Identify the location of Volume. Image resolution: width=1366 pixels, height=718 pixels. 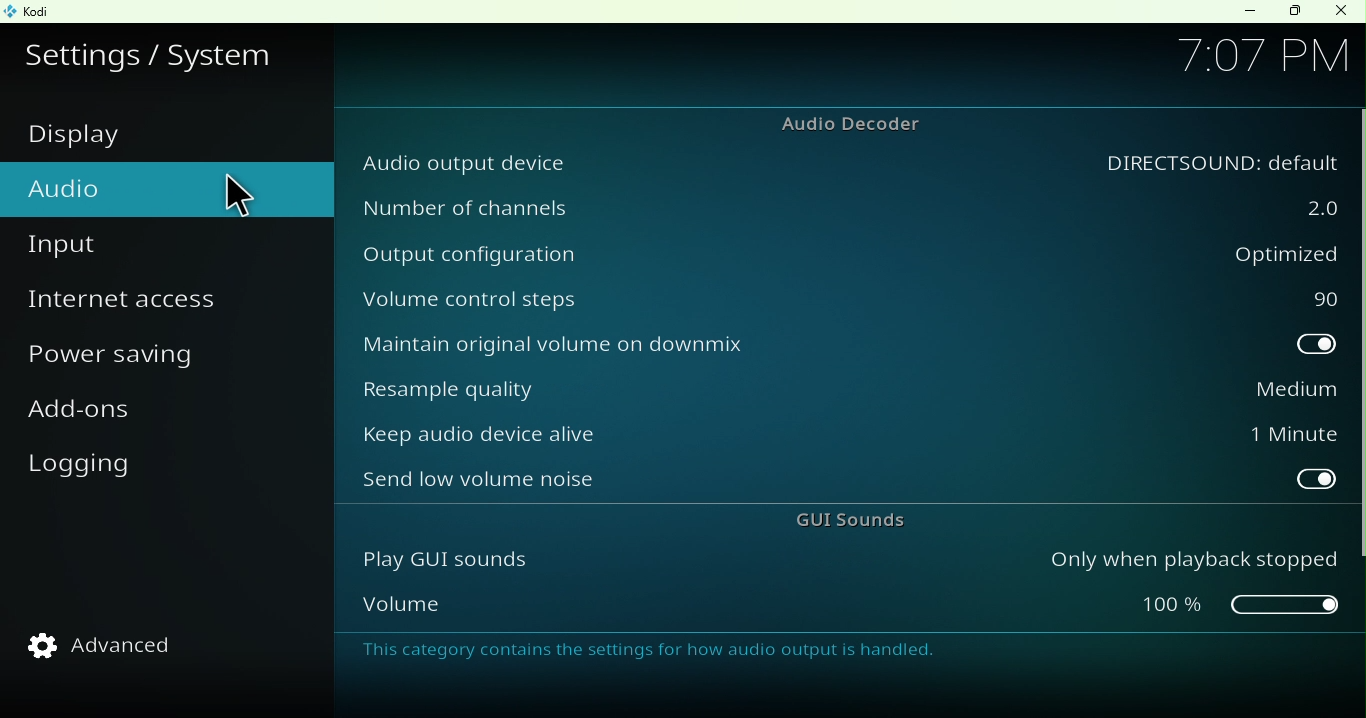
(697, 605).